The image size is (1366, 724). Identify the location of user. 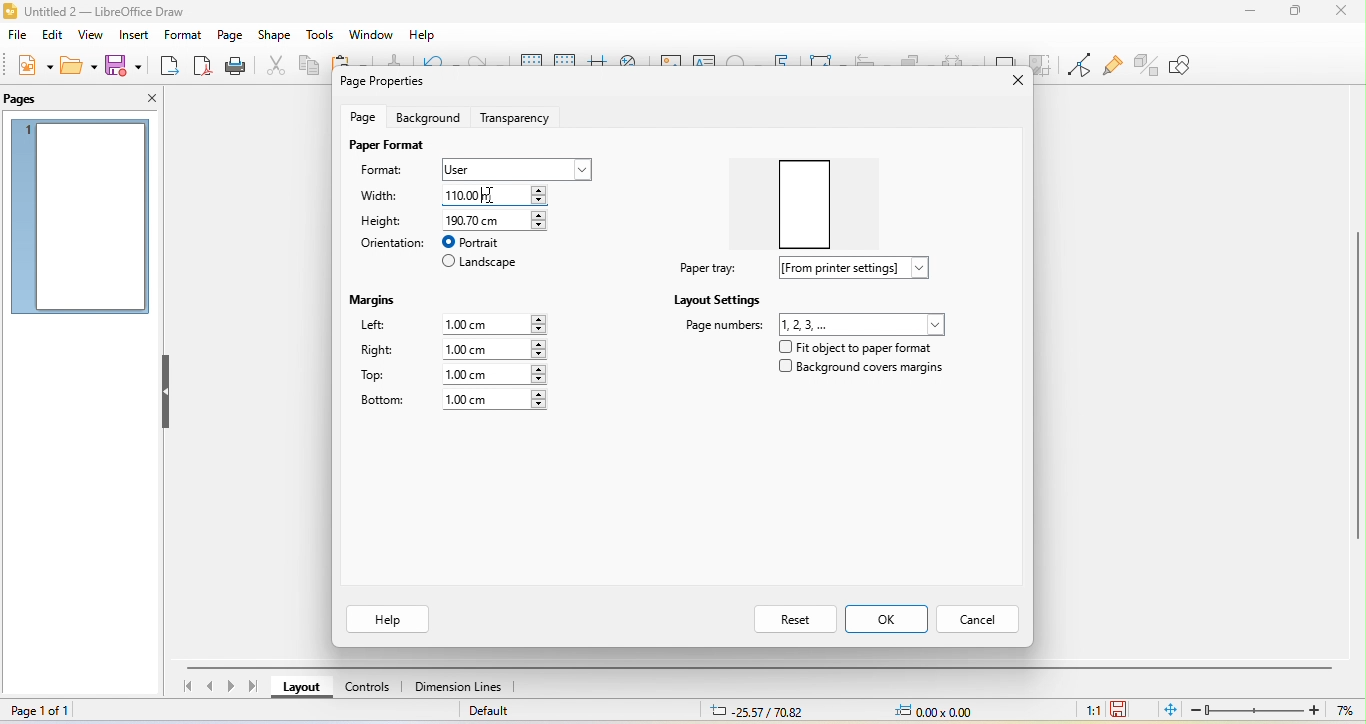
(518, 167).